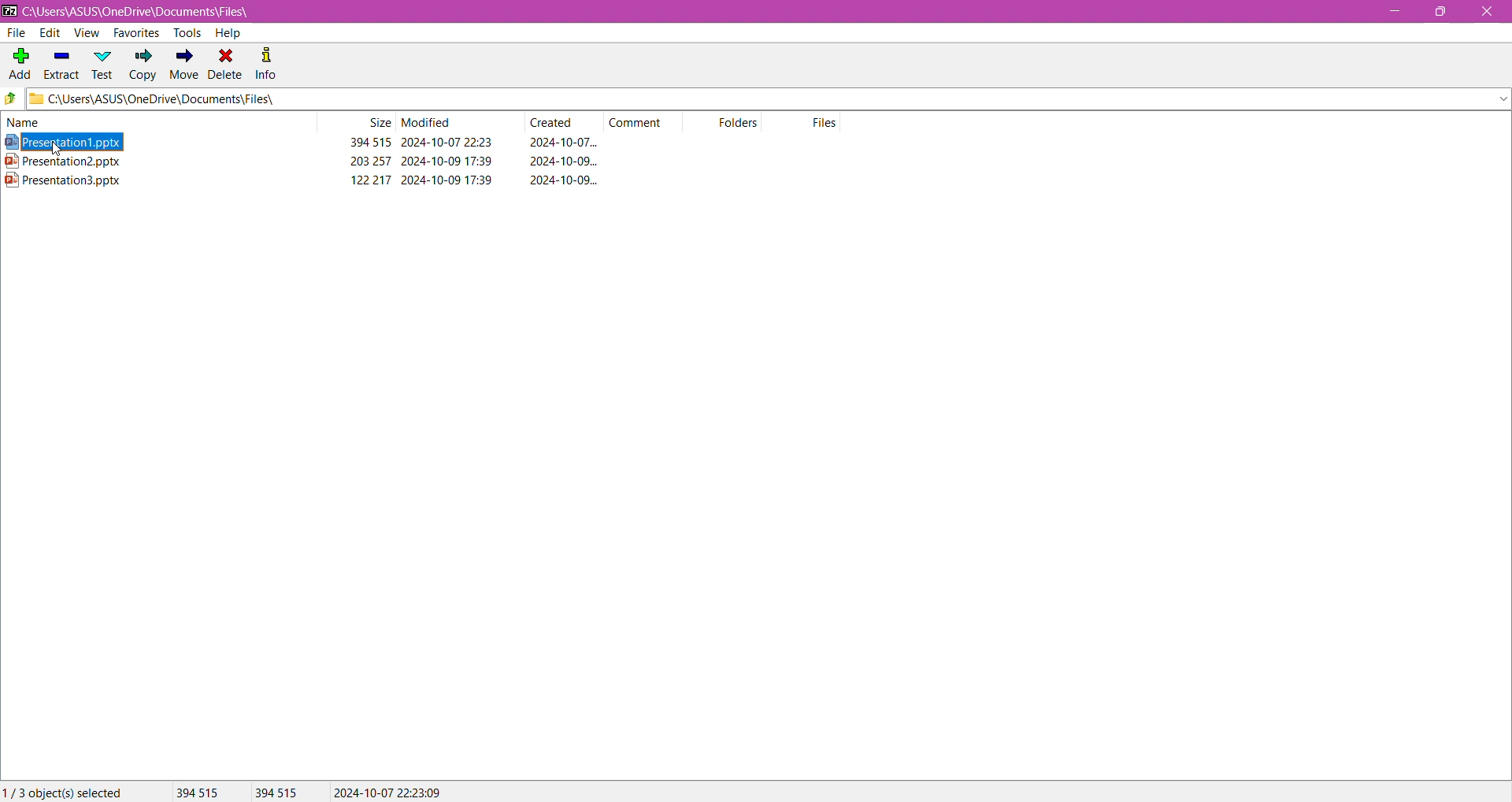 The width and height of the screenshot is (1512, 802). What do you see at coordinates (315, 180) in the screenshot?
I see `Presentation3.pptx 122217 2024-10-09 17:39 2024-10-09...` at bounding box center [315, 180].